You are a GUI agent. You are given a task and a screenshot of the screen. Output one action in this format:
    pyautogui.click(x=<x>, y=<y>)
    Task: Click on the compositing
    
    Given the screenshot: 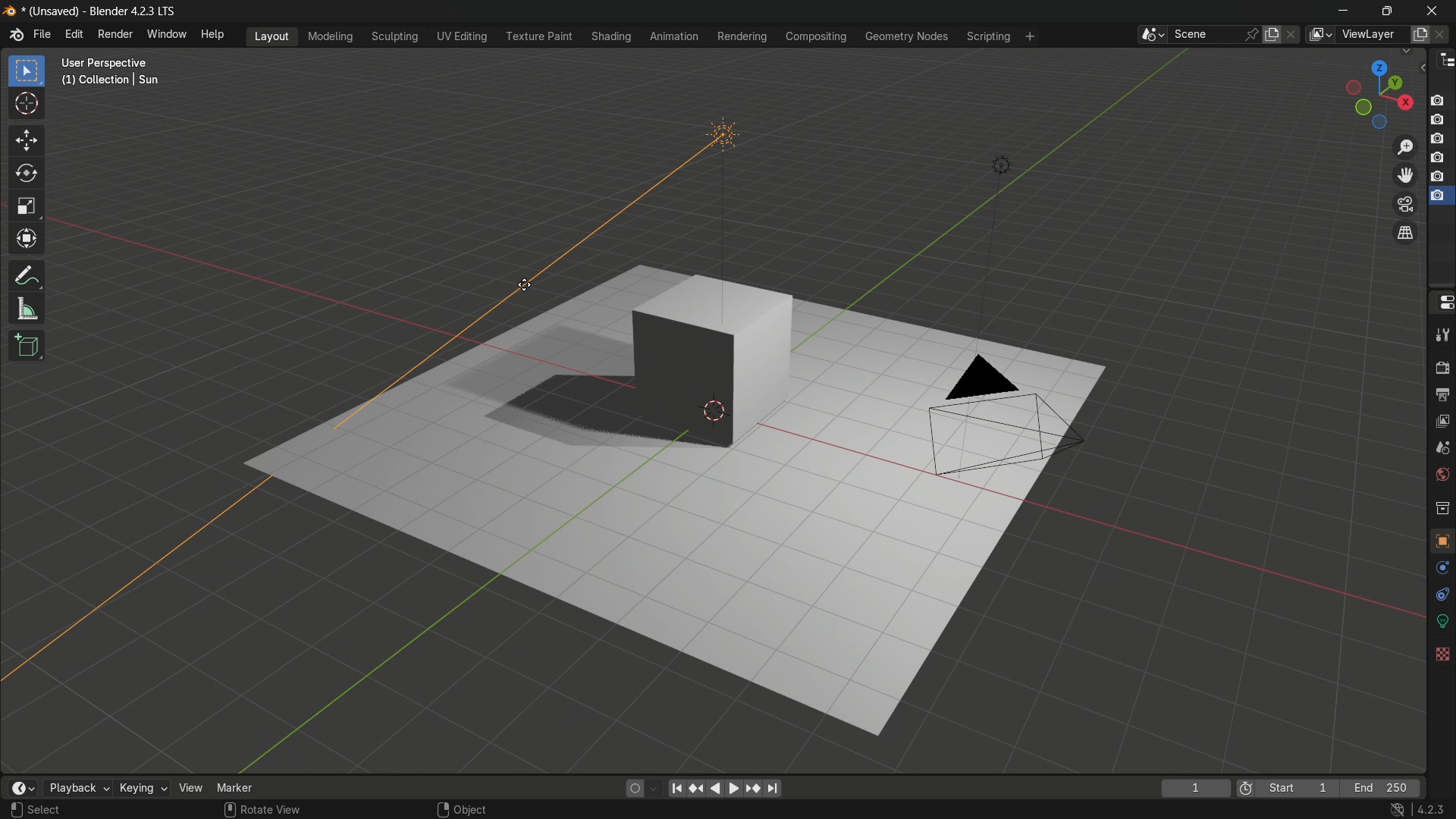 What is the action you would take?
    pyautogui.click(x=818, y=36)
    